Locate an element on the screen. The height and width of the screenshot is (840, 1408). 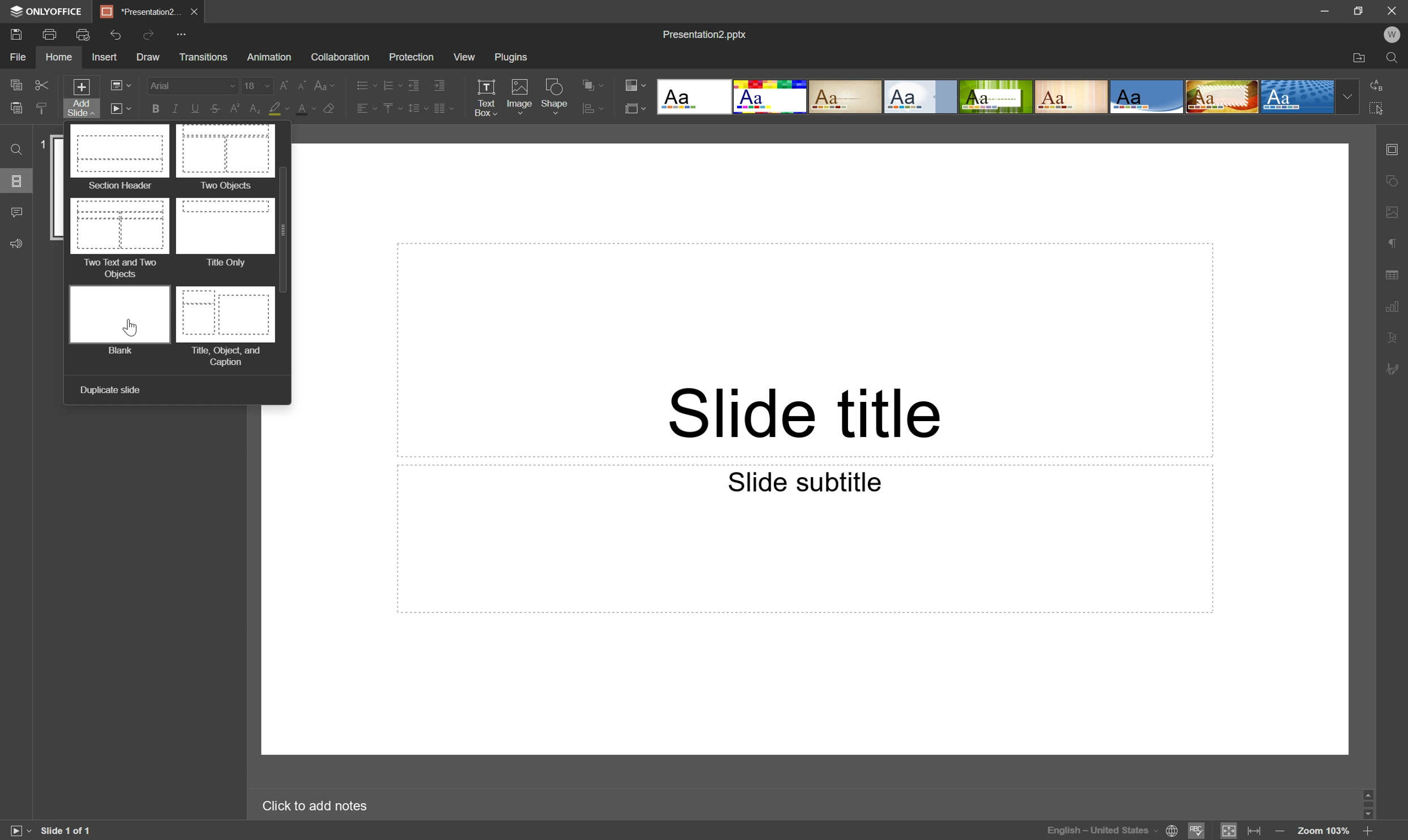
Restore Down is located at coordinates (1359, 11).